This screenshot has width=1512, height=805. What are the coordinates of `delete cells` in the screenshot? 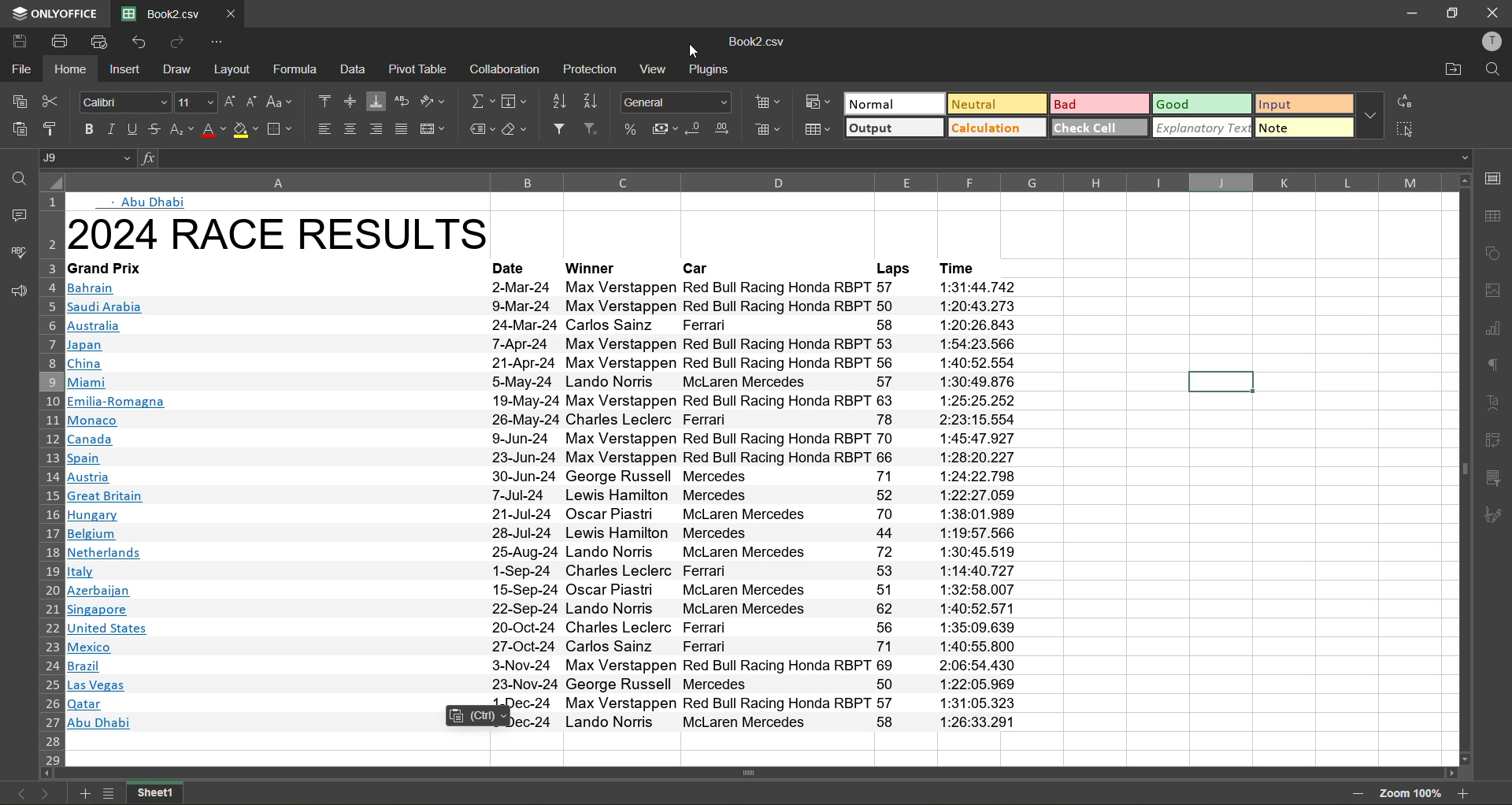 It's located at (772, 130).